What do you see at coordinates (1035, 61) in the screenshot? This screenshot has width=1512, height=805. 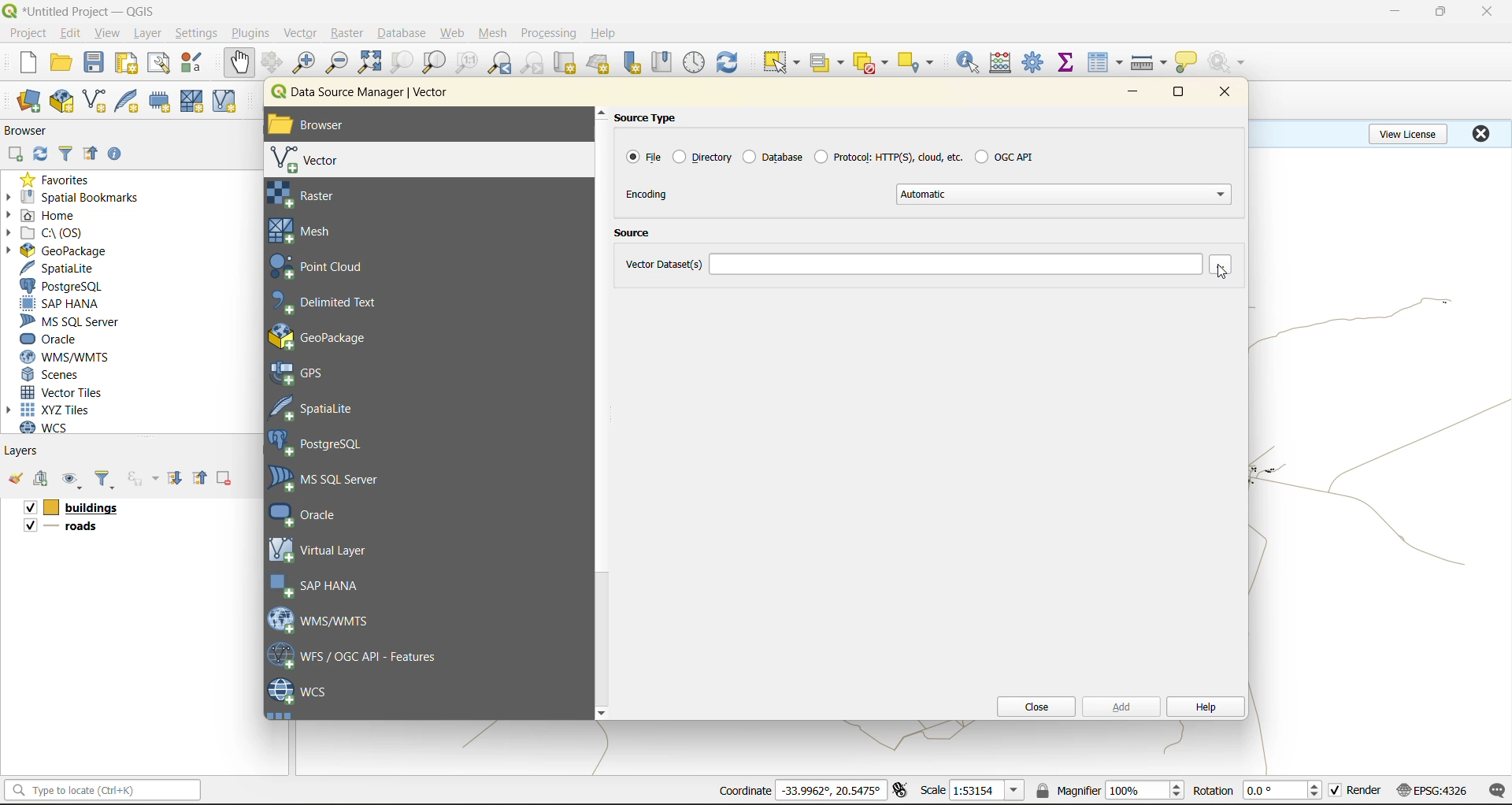 I see `tool box` at bounding box center [1035, 61].